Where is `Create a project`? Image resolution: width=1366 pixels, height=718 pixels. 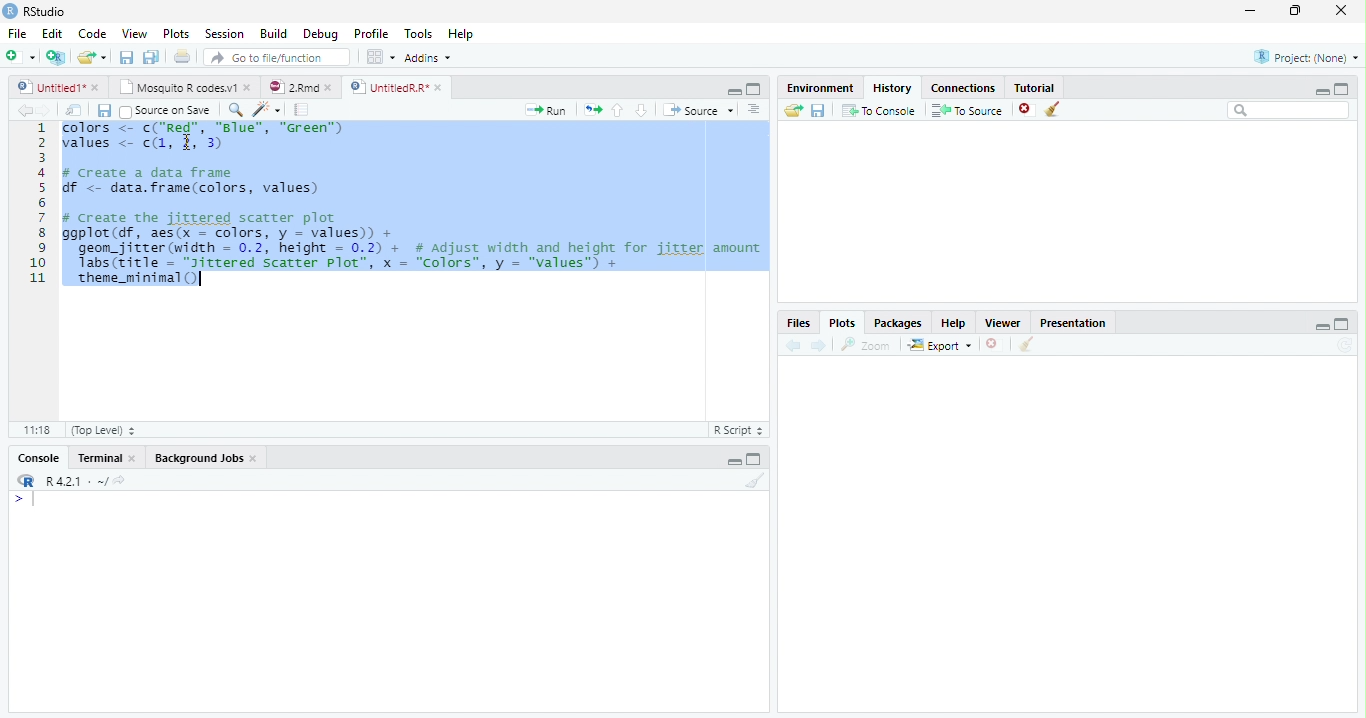 Create a project is located at coordinates (55, 57).